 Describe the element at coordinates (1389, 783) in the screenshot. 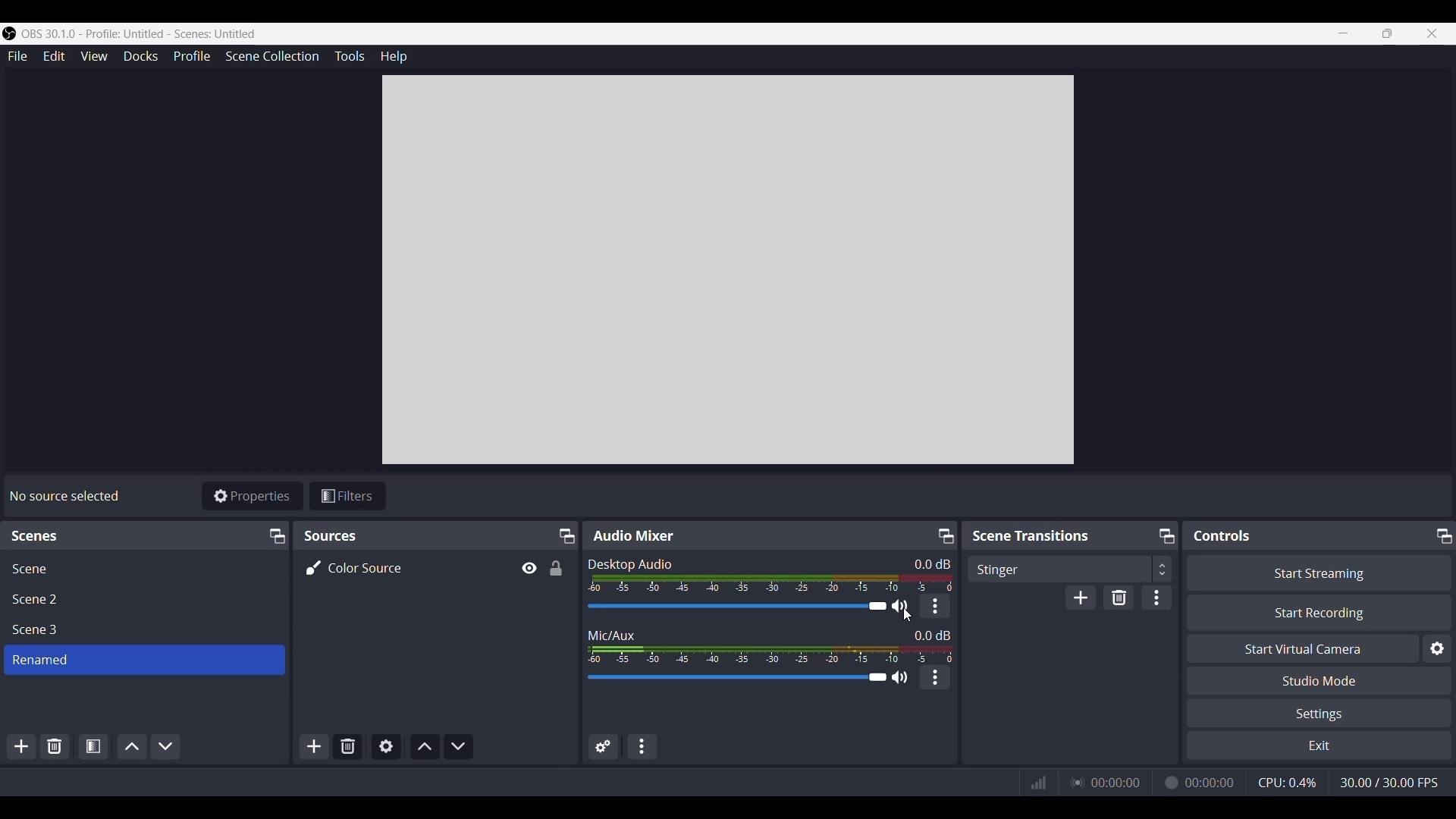

I see `Frames Per Second` at that location.